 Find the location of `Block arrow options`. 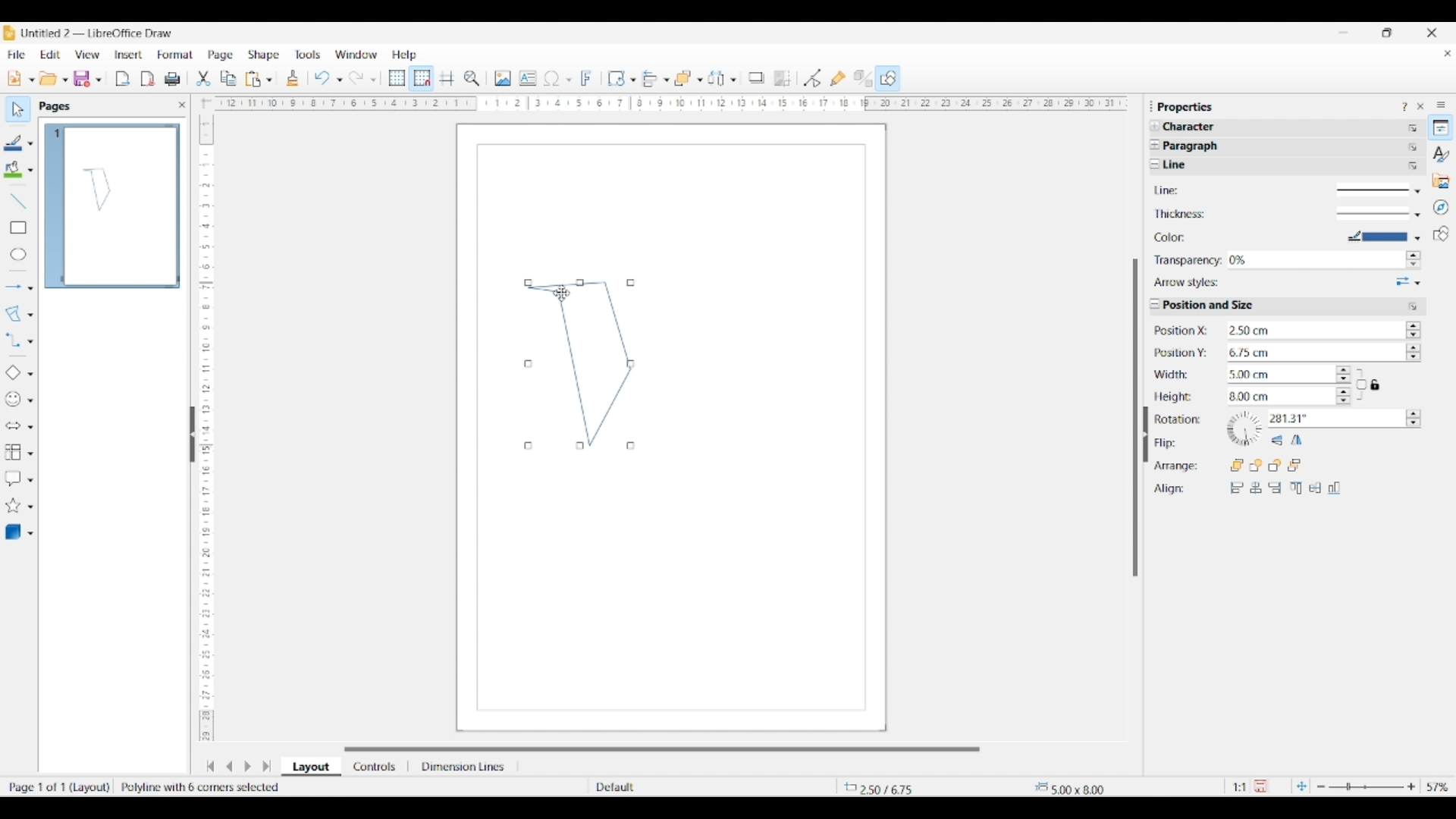

Block arrow options is located at coordinates (30, 427).